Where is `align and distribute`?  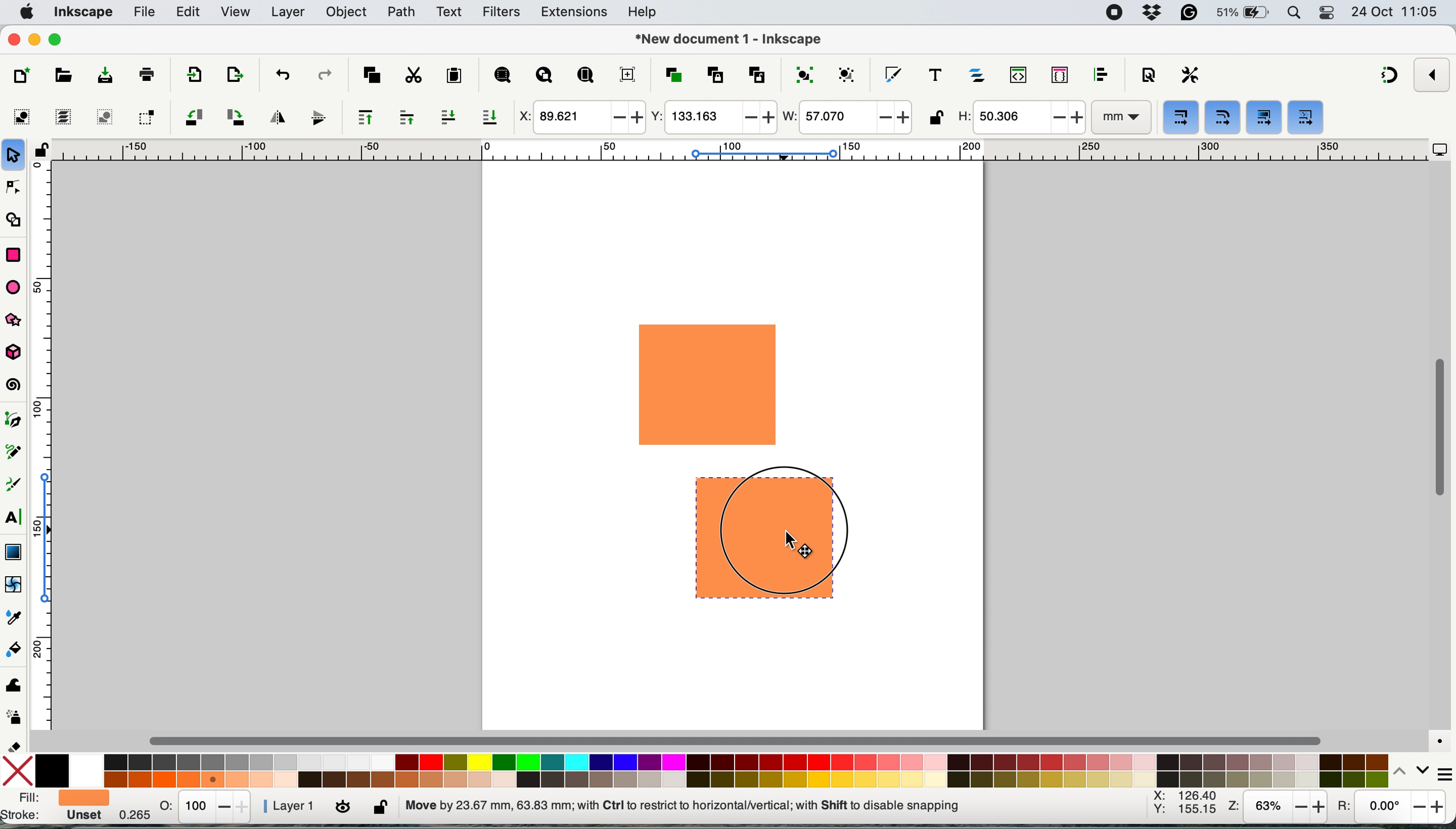
align and distribute is located at coordinates (1101, 75).